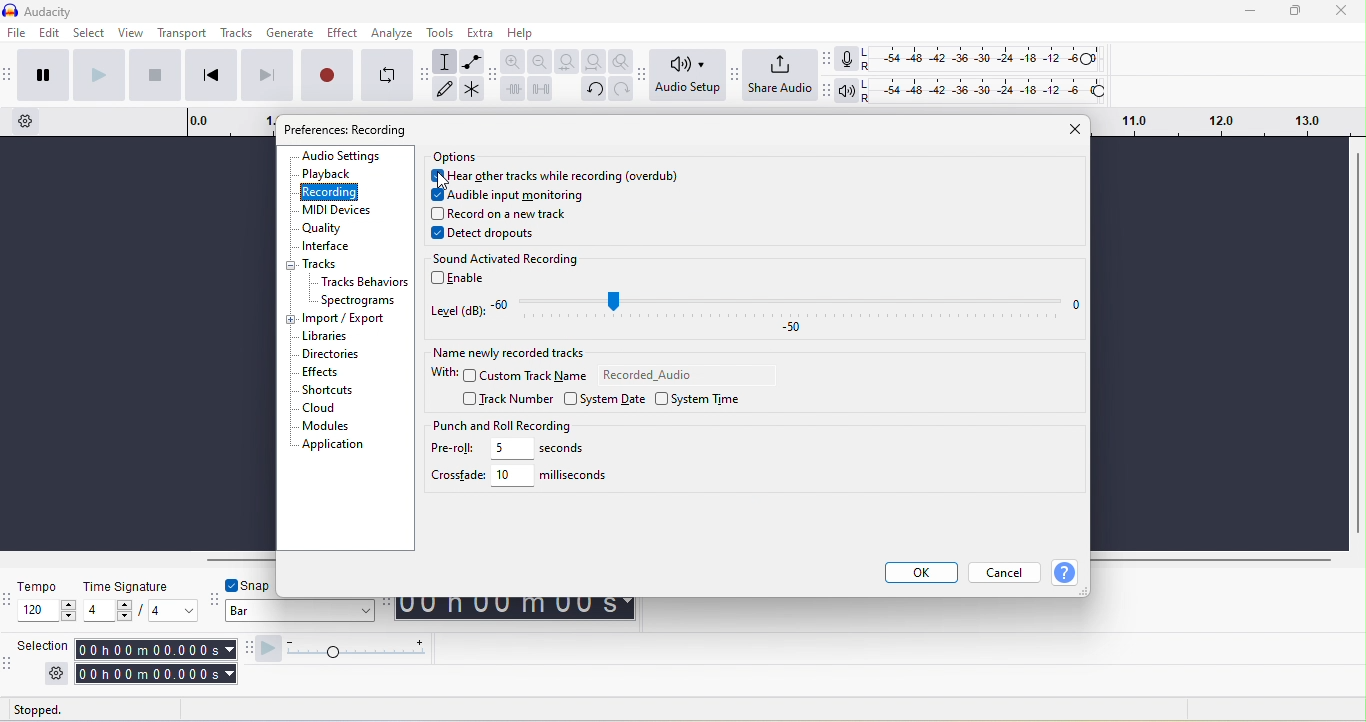 The height and width of the screenshot is (722, 1366). What do you see at coordinates (212, 73) in the screenshot?
I see `skip to start` at bounding box center [212, 73].